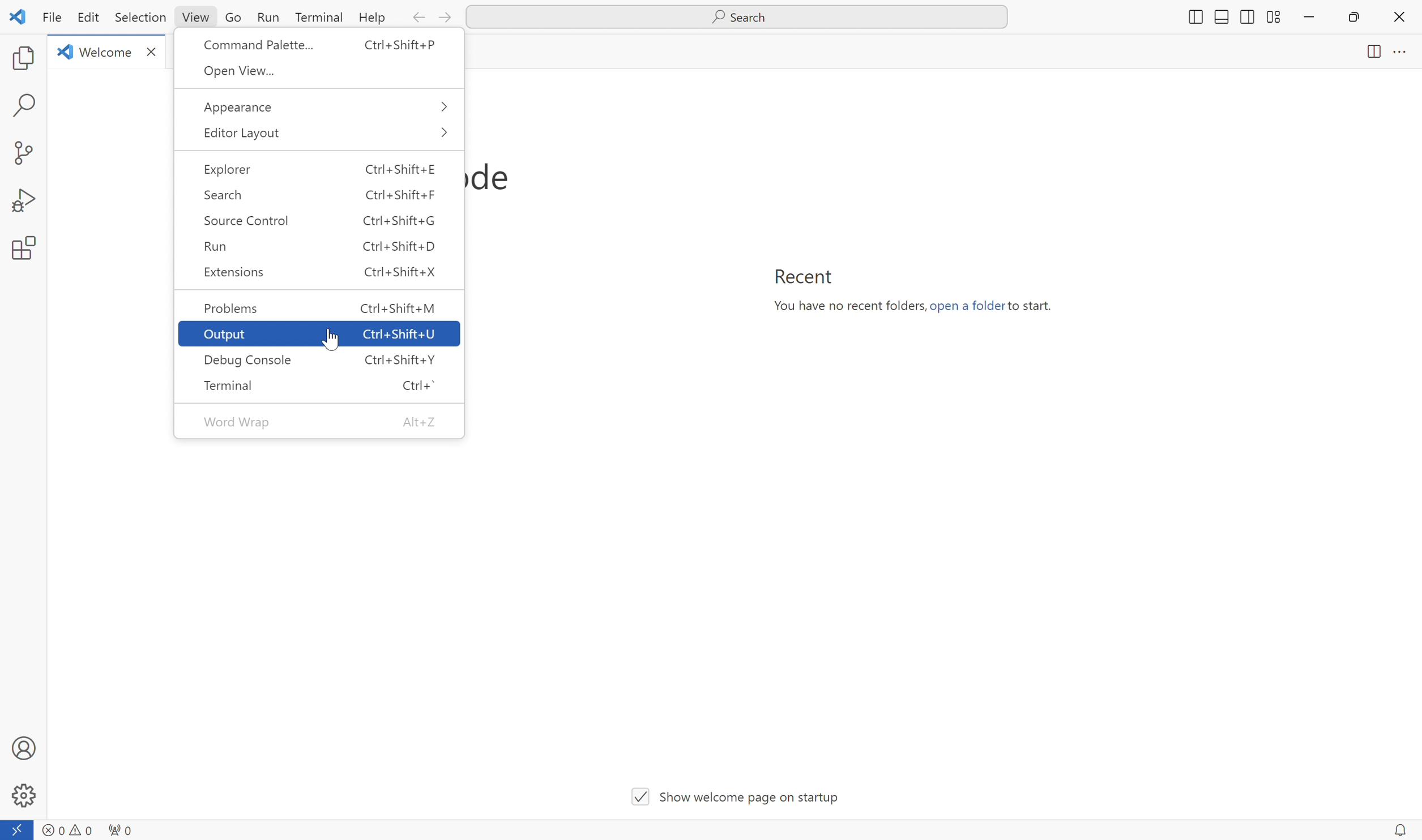 This screenshot has width=1422, height=840. Describe the element at coordinates (1359, 20) in the screenshot. I see `restore down` at that location.